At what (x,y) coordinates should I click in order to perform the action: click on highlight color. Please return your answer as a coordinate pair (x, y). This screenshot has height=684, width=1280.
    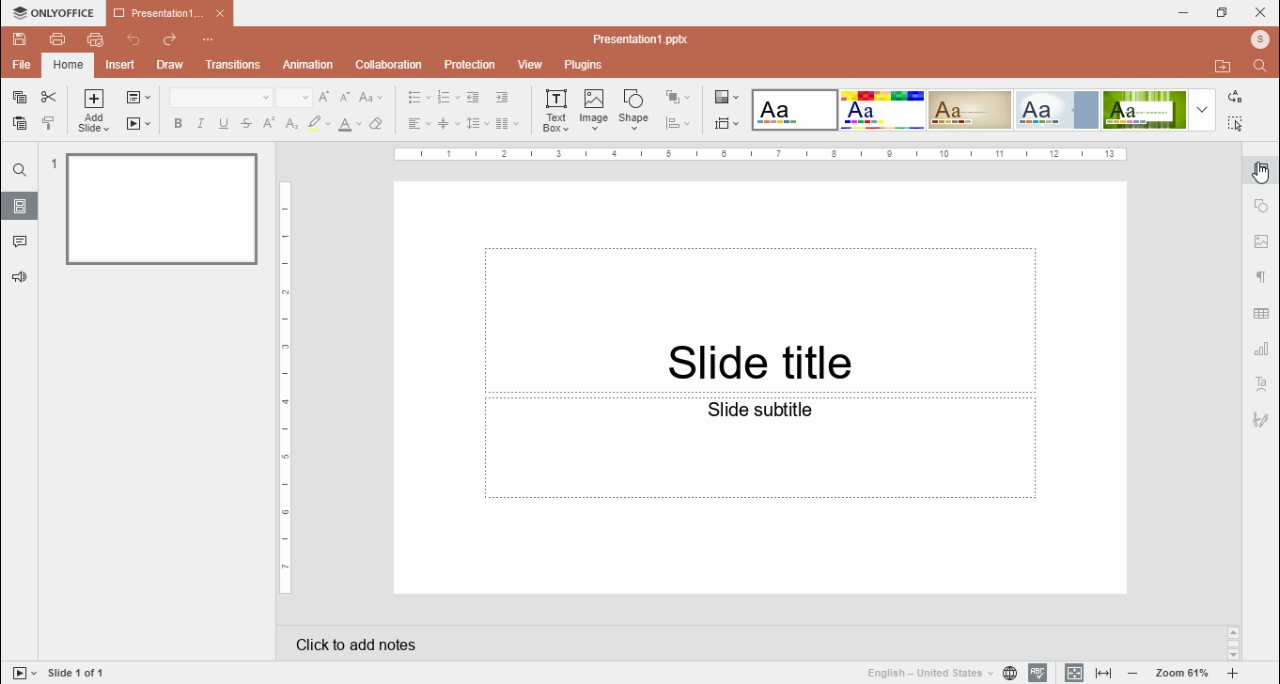
    Looking at the image, I should click on (317, 124).